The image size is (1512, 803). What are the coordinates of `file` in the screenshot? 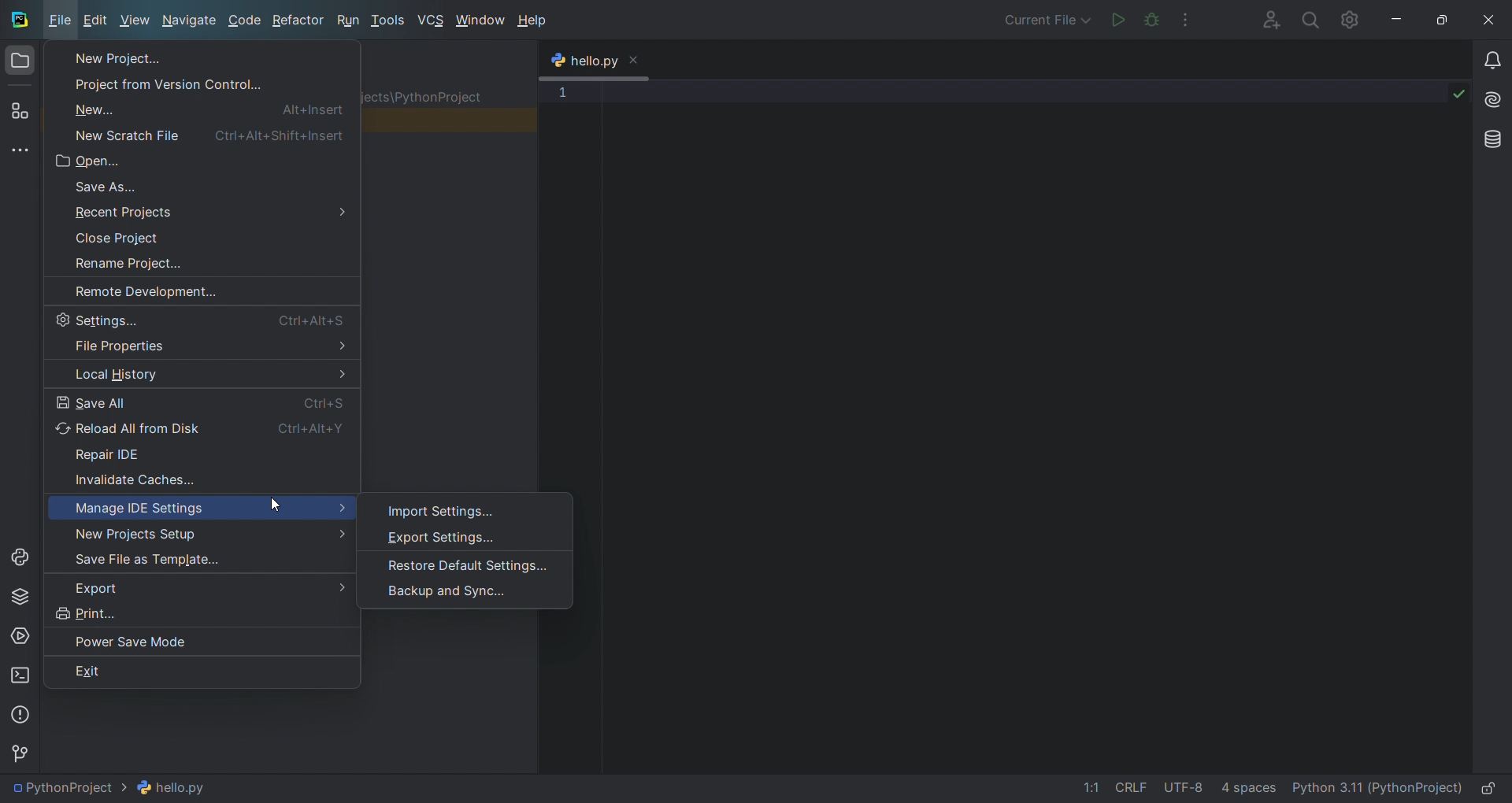 It's located at (59, 22).